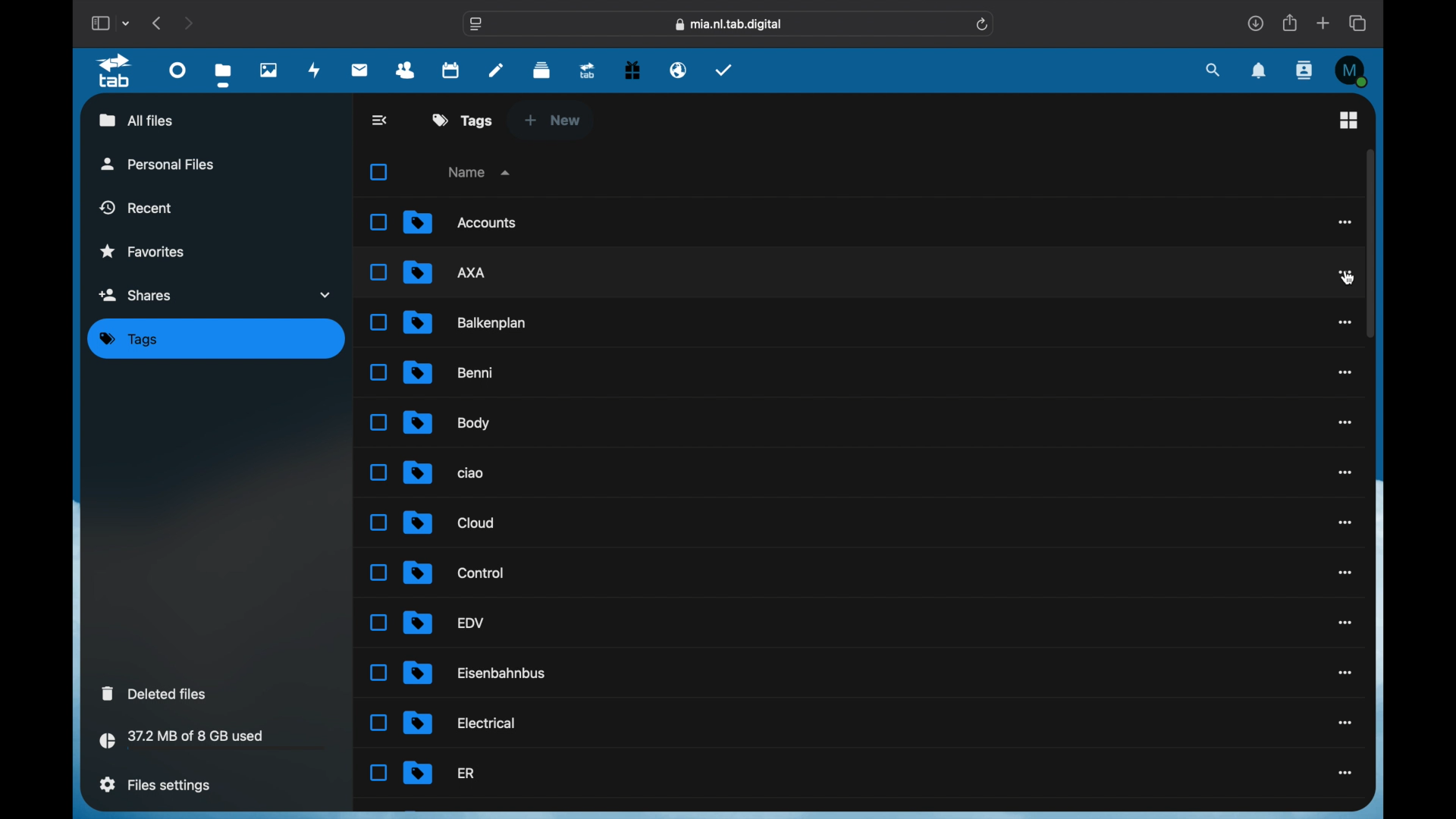 Image resolution: width=1456 pixels, height=819 pixels. Describe the element at coordinates (378, 623) in the screenshot. I see `Unselected Checkbox` at that location.